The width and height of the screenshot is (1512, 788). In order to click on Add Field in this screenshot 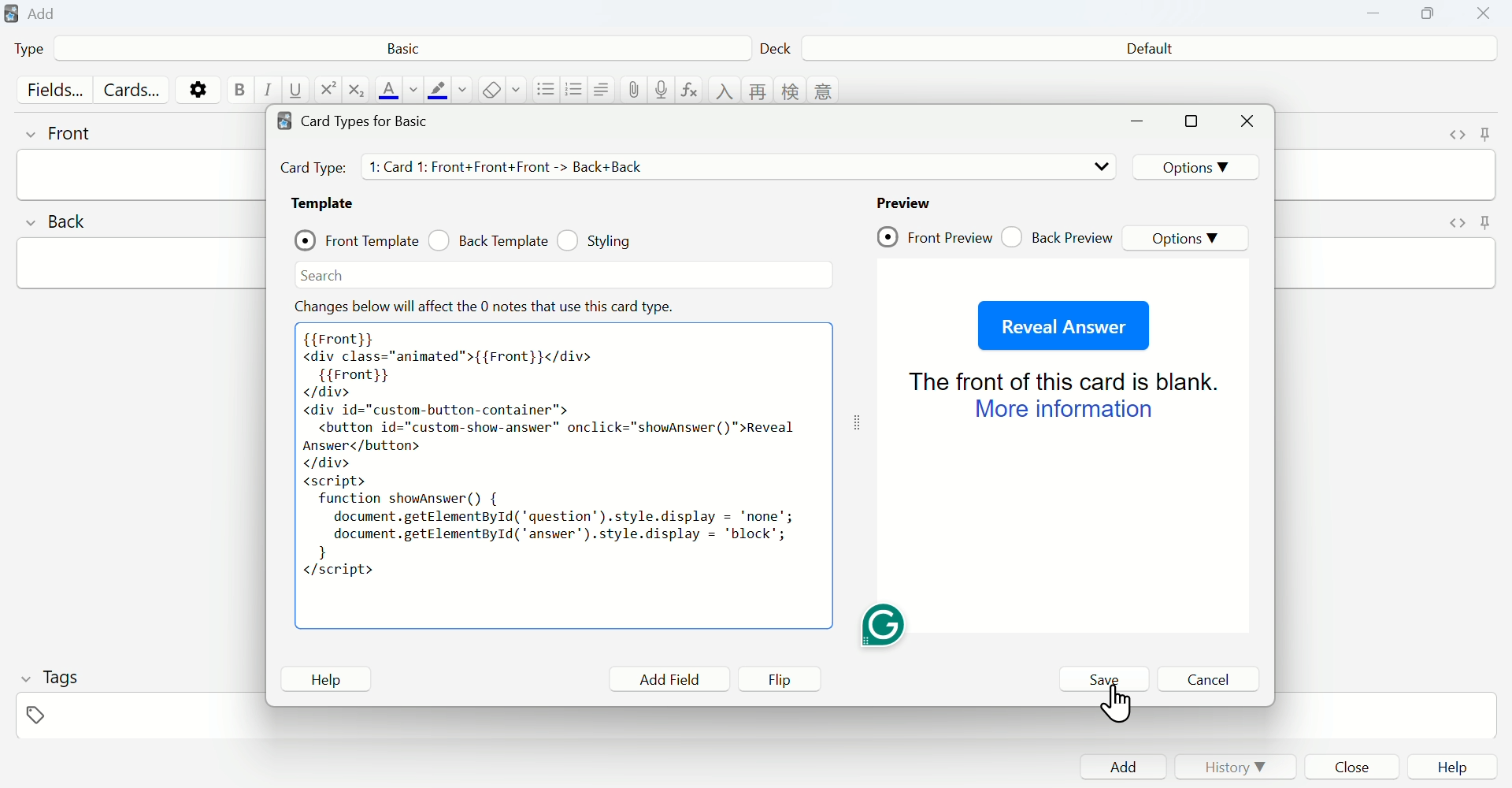, I will do `click(673, 679)`.